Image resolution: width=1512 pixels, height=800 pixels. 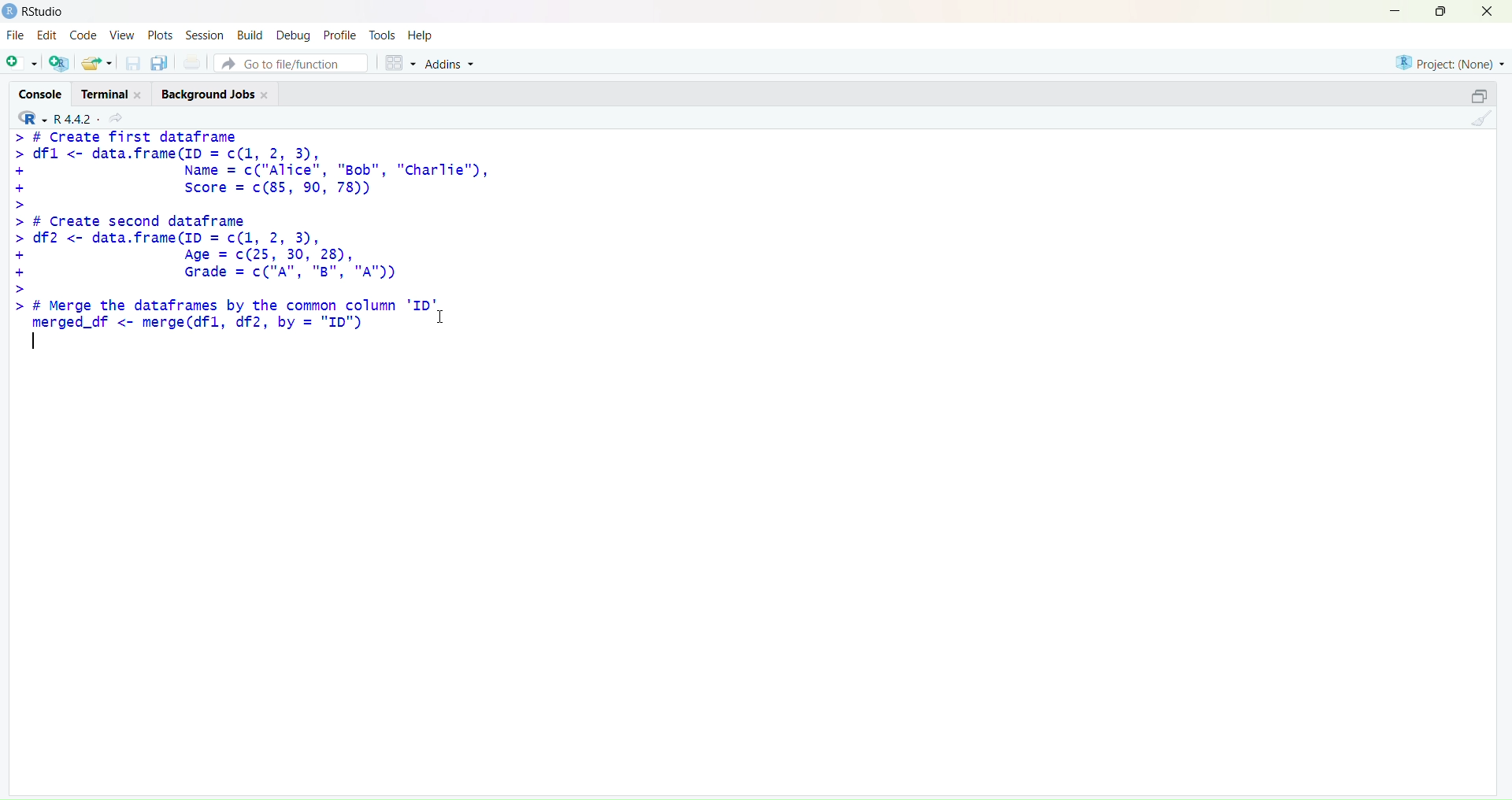 What do you see at coordinates (441, 317) in the screenshot?
I see `cursor` at bounding box center [441, 317].